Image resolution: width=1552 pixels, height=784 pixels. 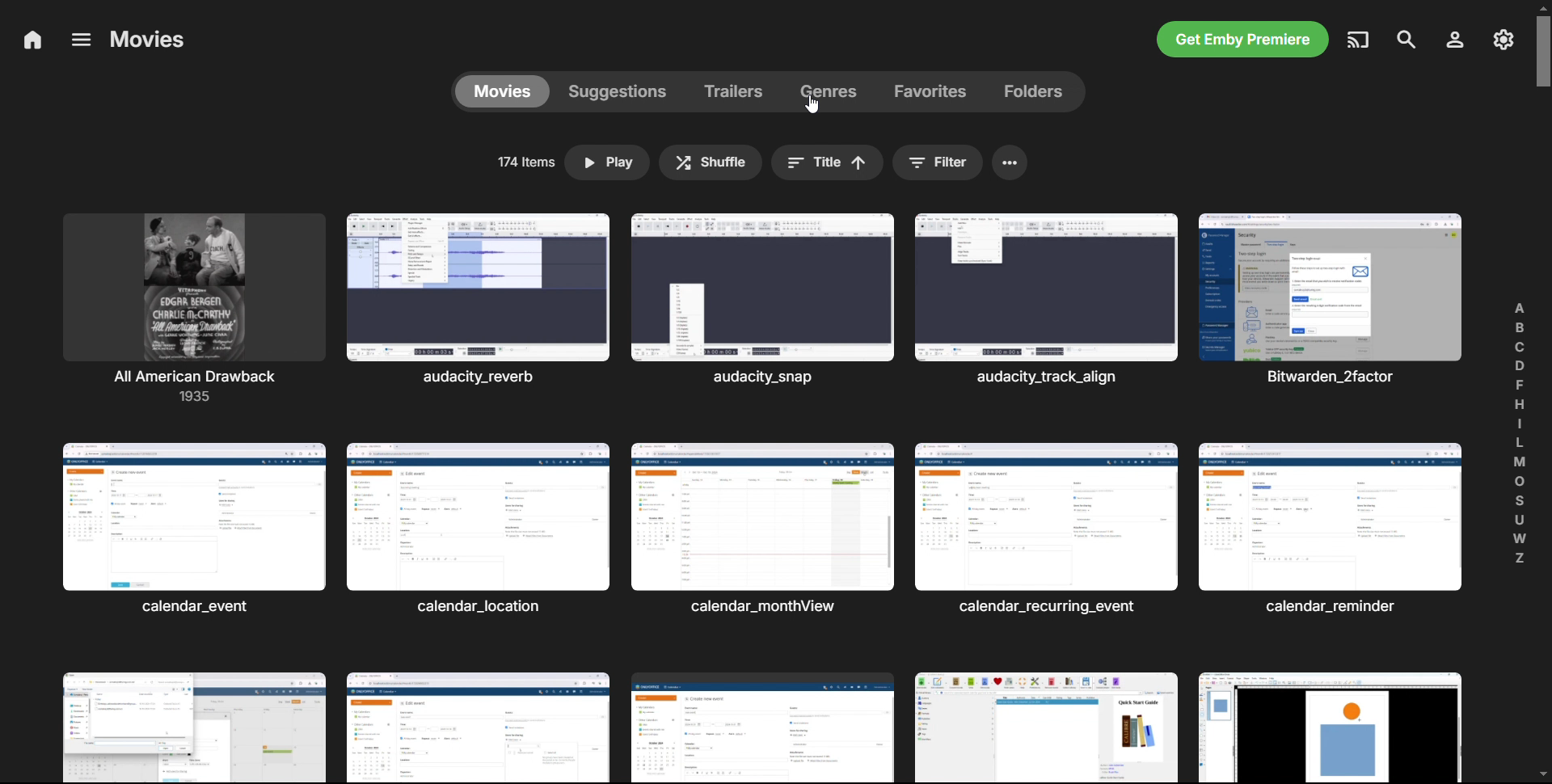 I want to click on calendar_recurring_event, so click(x=1046, y=529).